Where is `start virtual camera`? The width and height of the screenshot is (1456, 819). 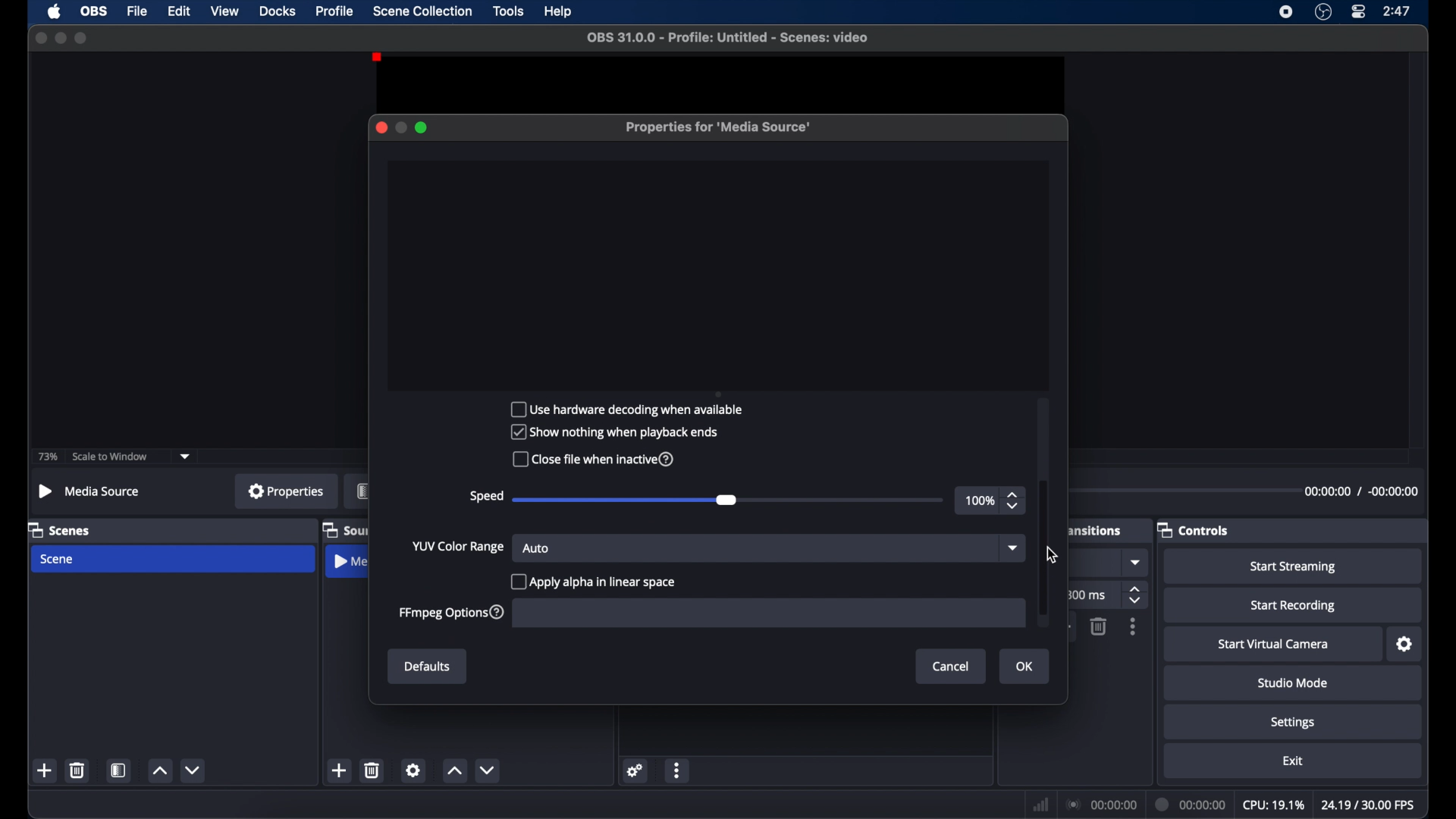
start virtual camera is located at coordinates (1274, 645).